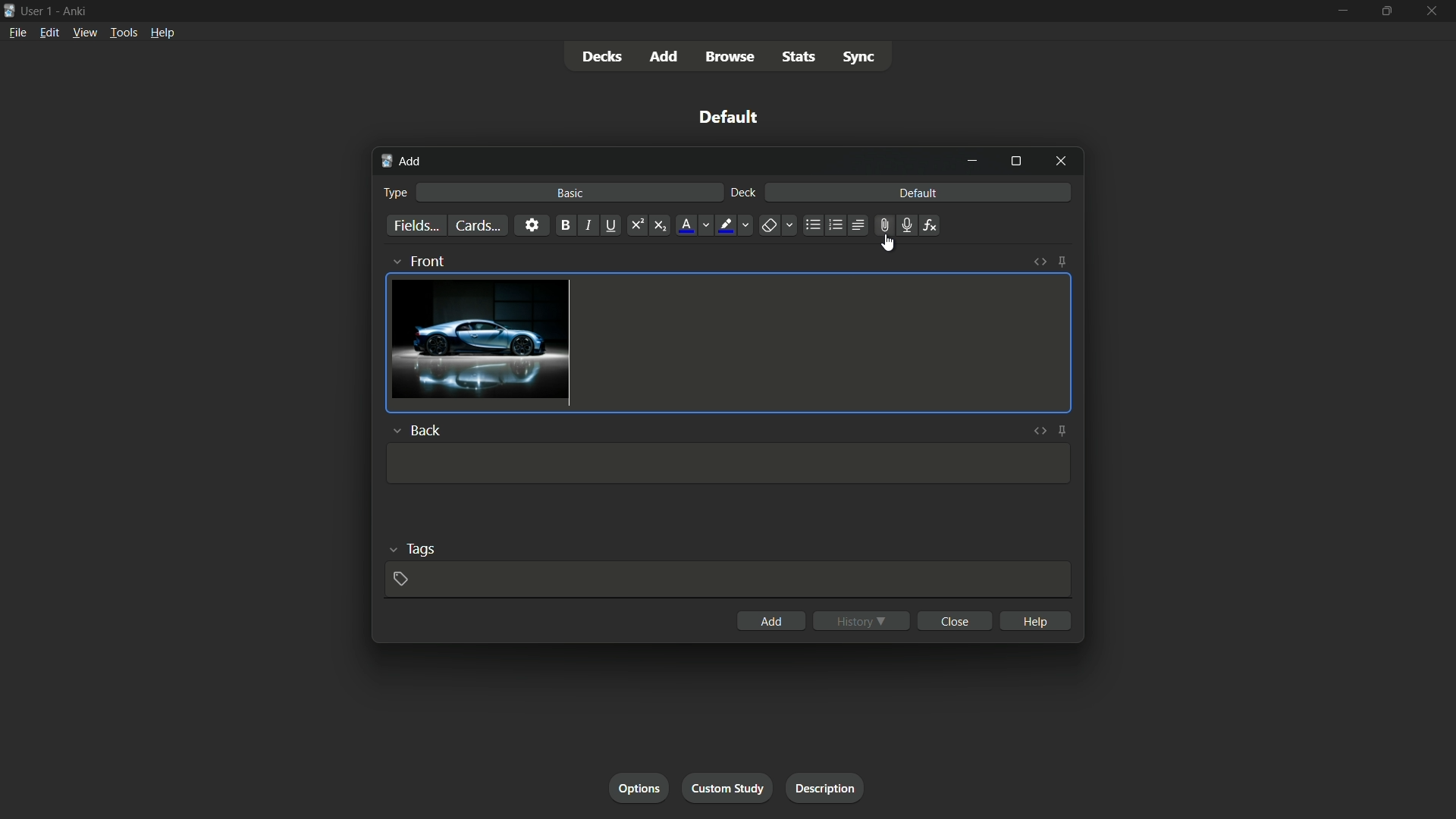  I want to click on add, so click(400, 161).